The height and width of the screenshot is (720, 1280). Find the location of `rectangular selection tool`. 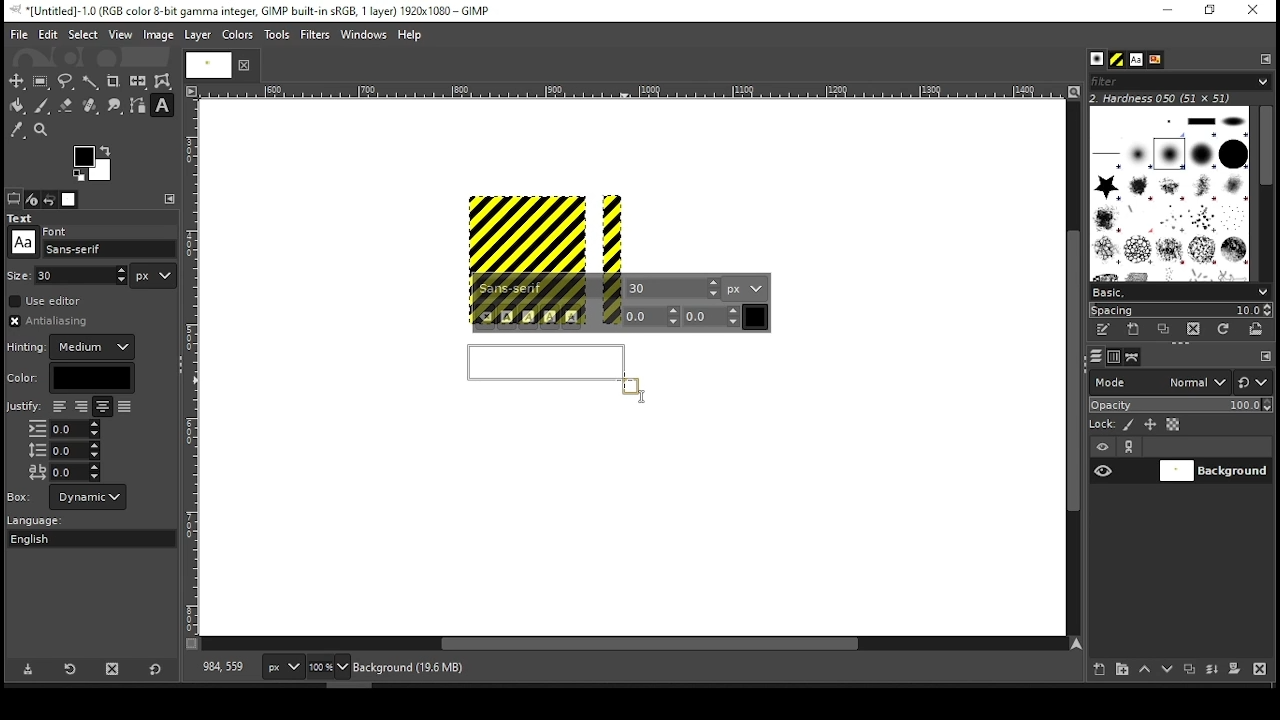

rectangular selection tool is located at coordinates (43, 81).